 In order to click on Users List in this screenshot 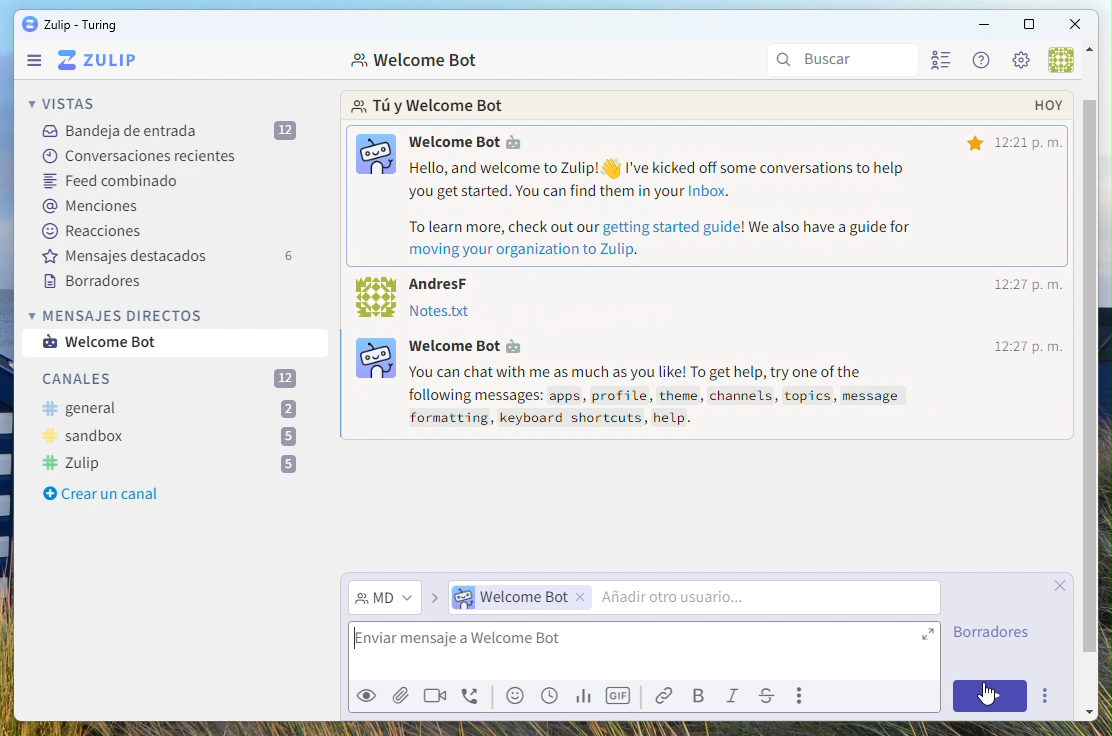, I will do `click(944, 63)`.